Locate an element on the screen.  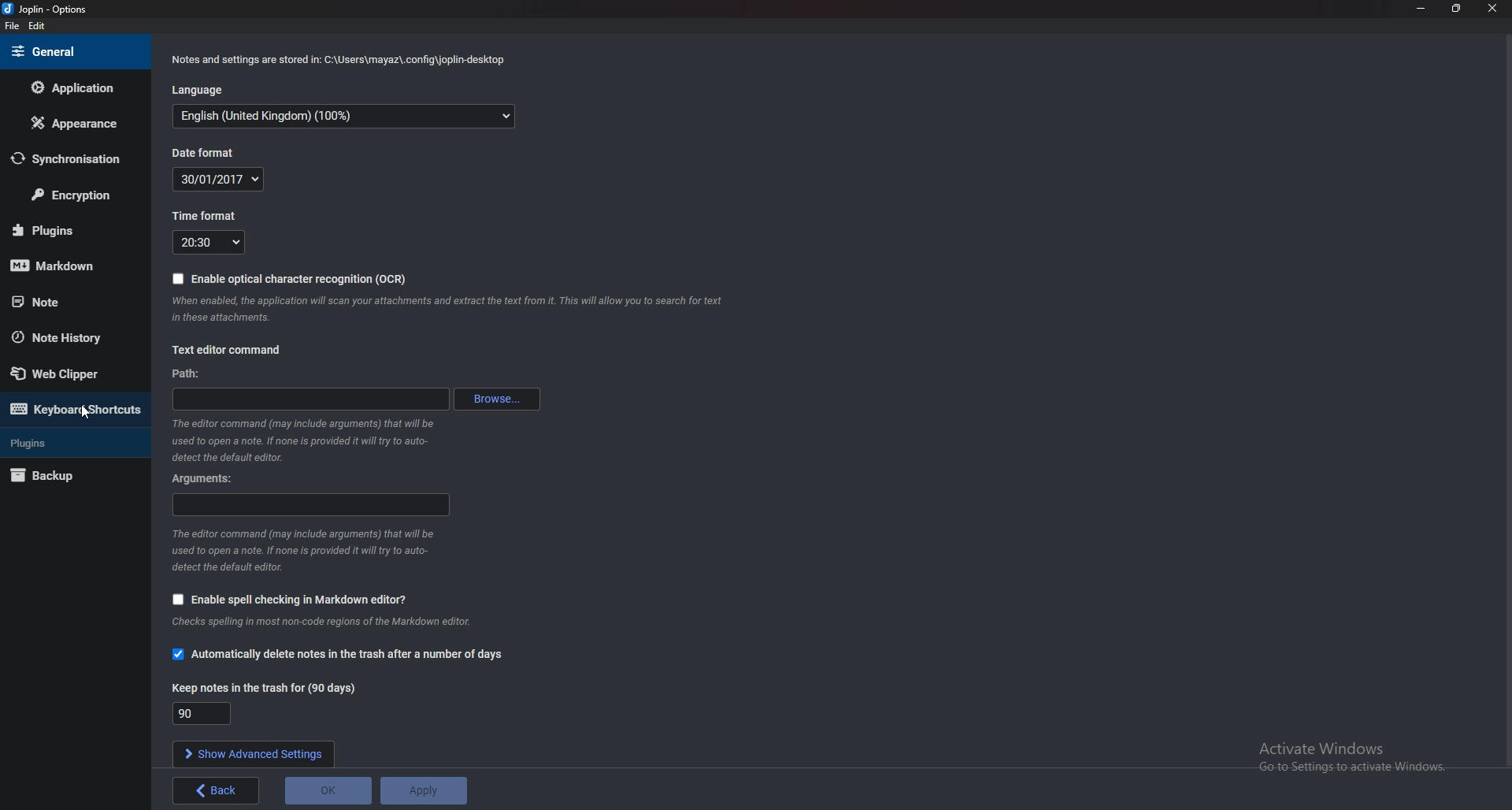
path is located at coordinates (310, 399).